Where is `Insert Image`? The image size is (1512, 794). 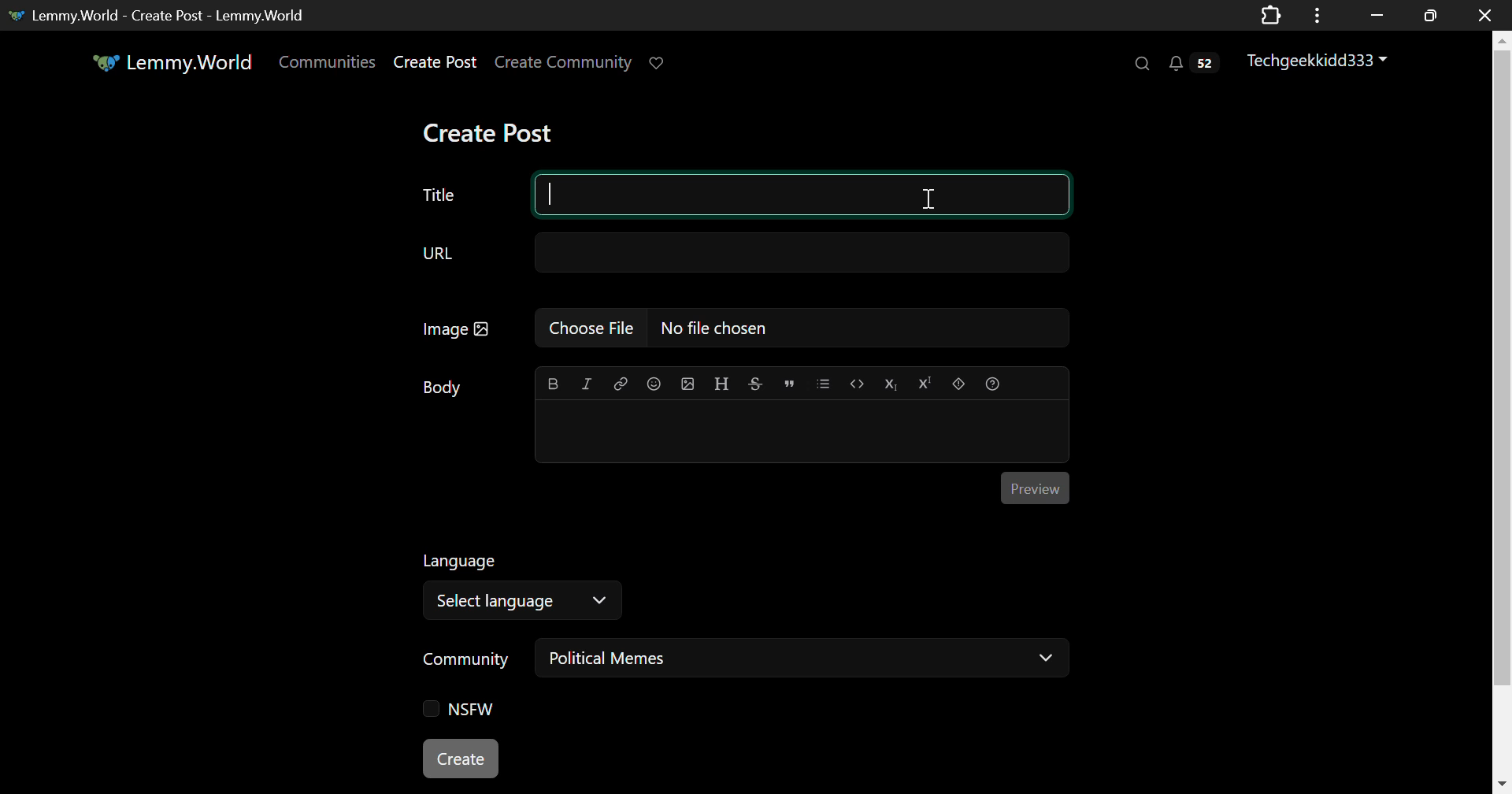 Insert Image is located at coordinates (689, 384).